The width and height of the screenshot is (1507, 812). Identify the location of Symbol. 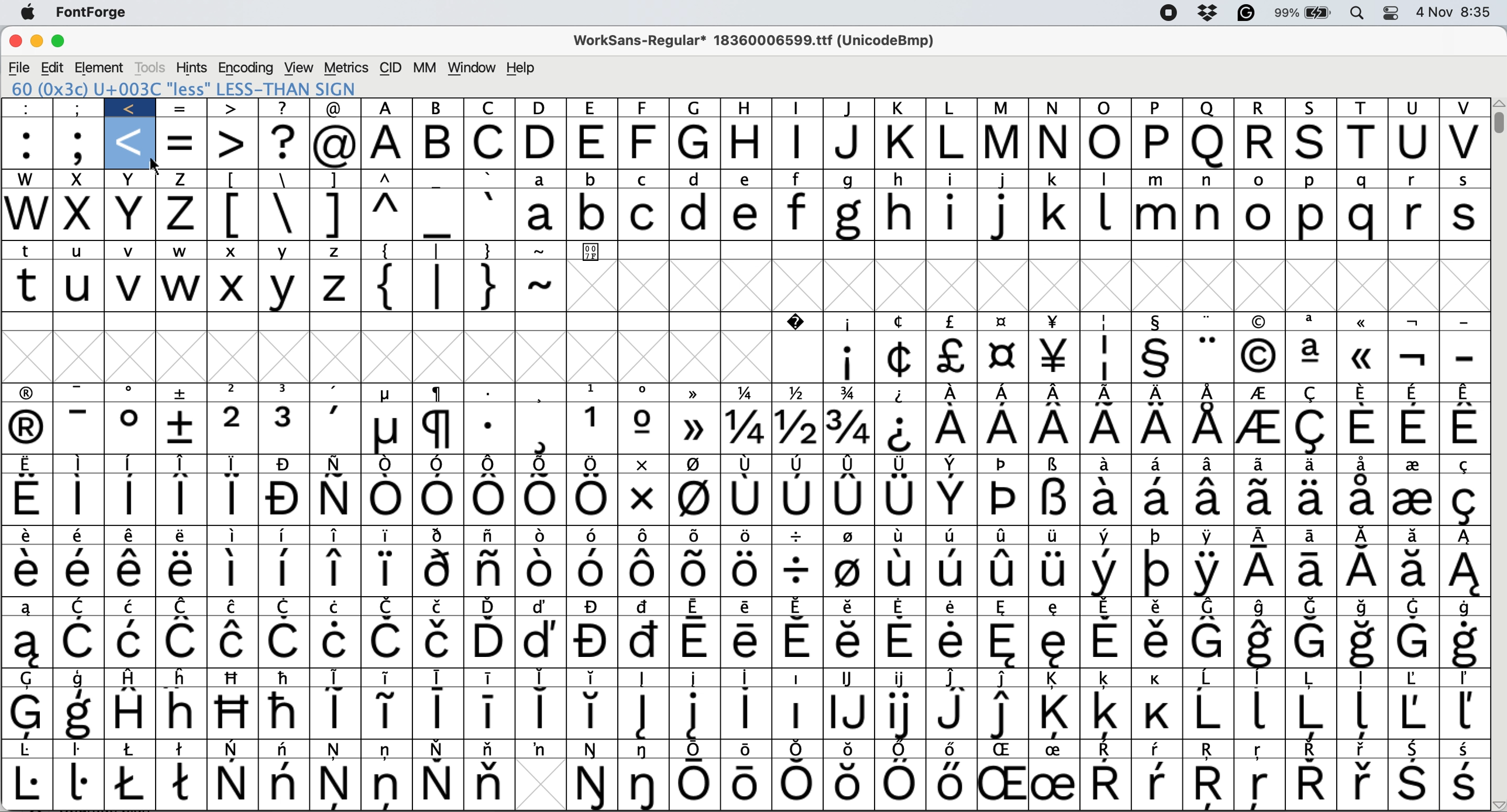
(439, 641).